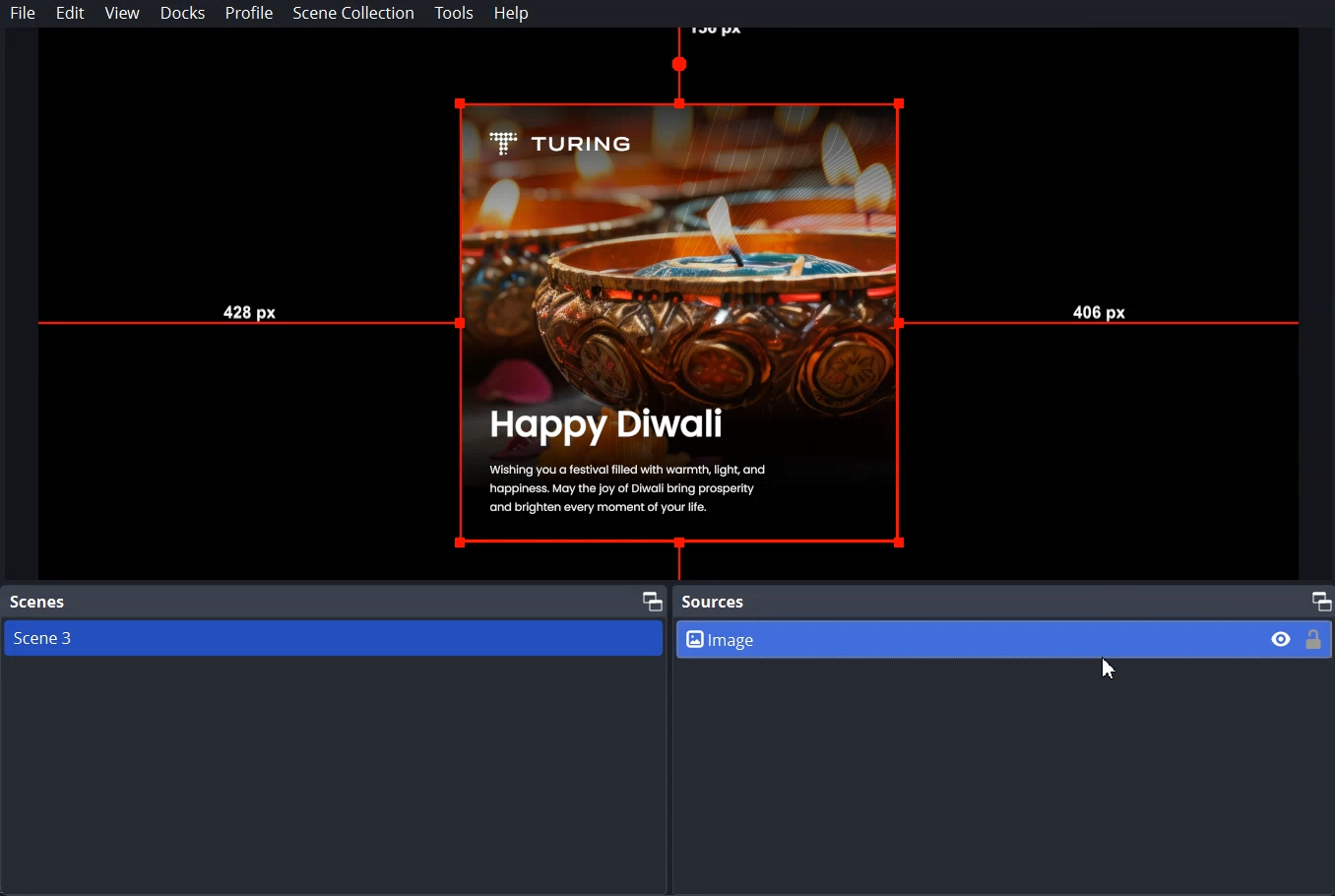  Describe the element at coordinates (714, 603) in the screenshot. I see `Text` at that location.